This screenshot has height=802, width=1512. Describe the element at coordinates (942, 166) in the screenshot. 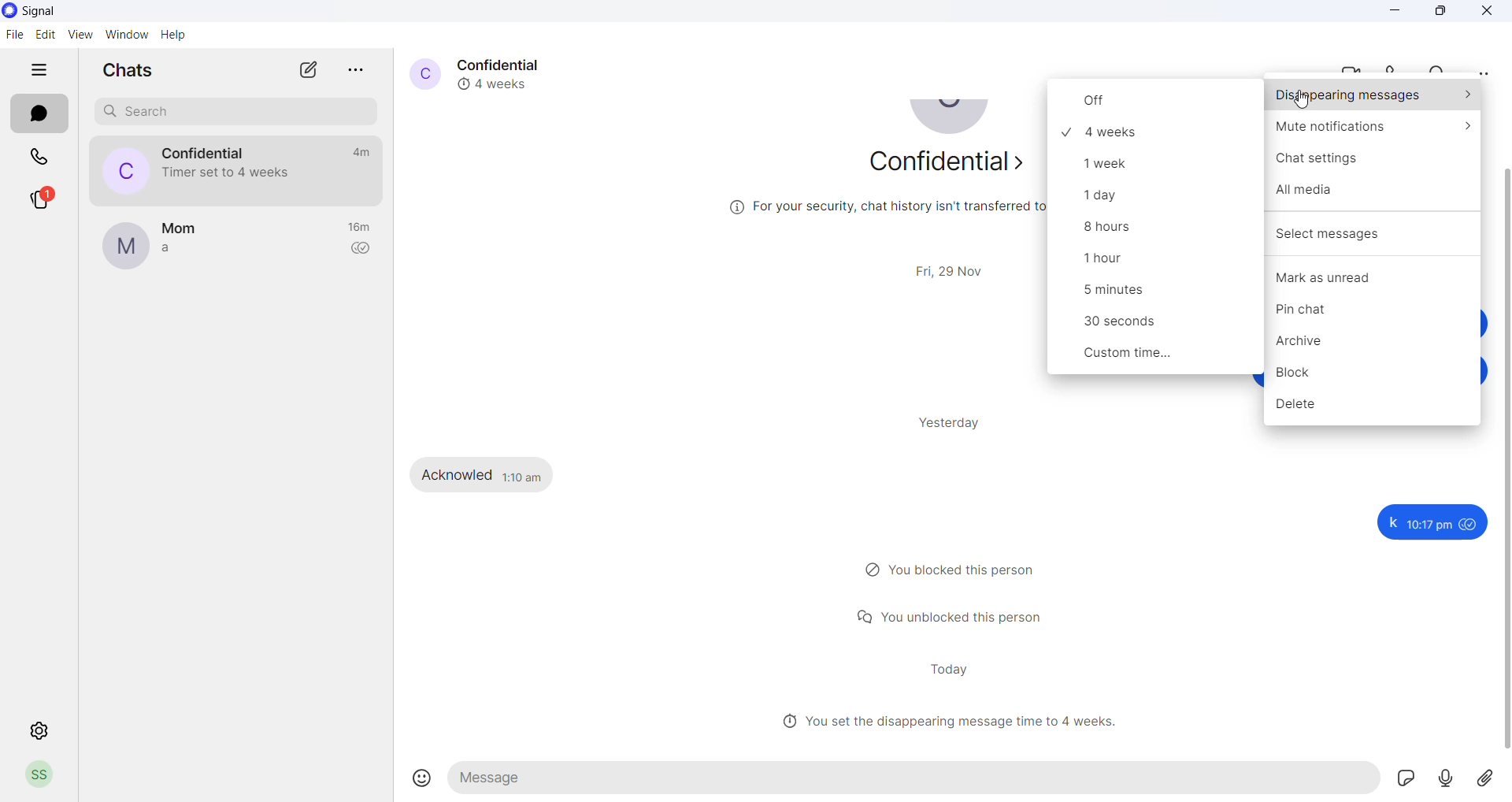

I see `about profile` at that location.